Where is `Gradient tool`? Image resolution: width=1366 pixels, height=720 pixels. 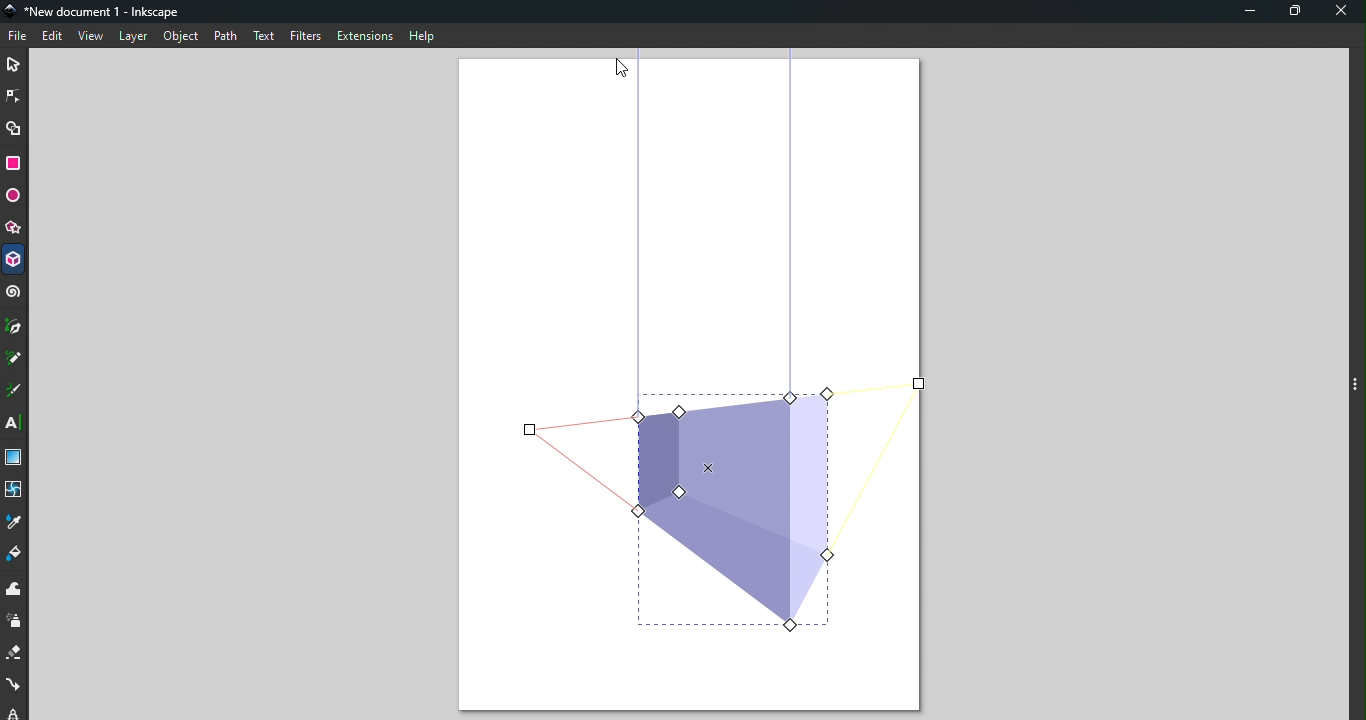 Gradient tool is located at coordinates (15, 455).